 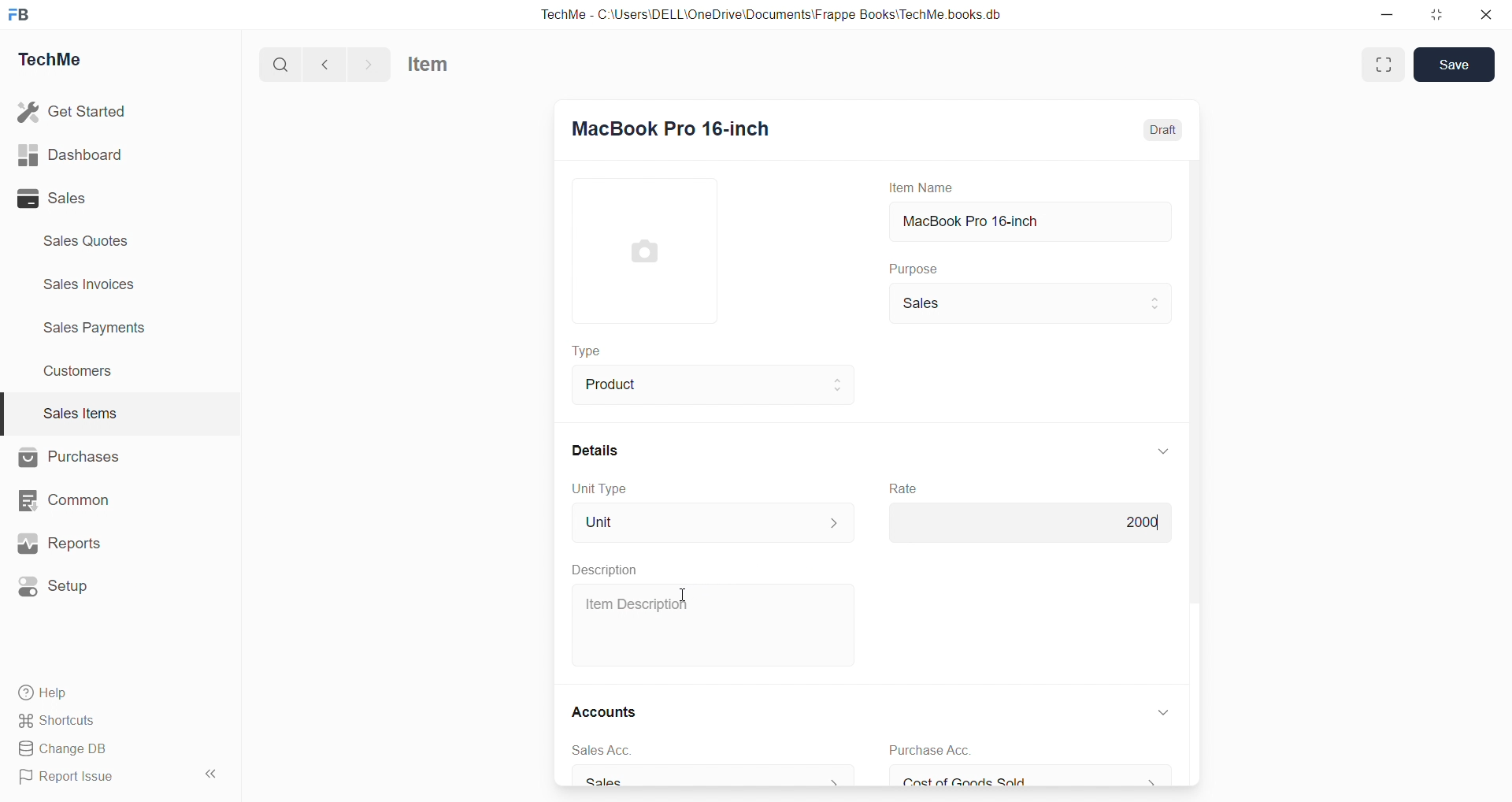 I want to click on forward, so click(x=369, y=64).